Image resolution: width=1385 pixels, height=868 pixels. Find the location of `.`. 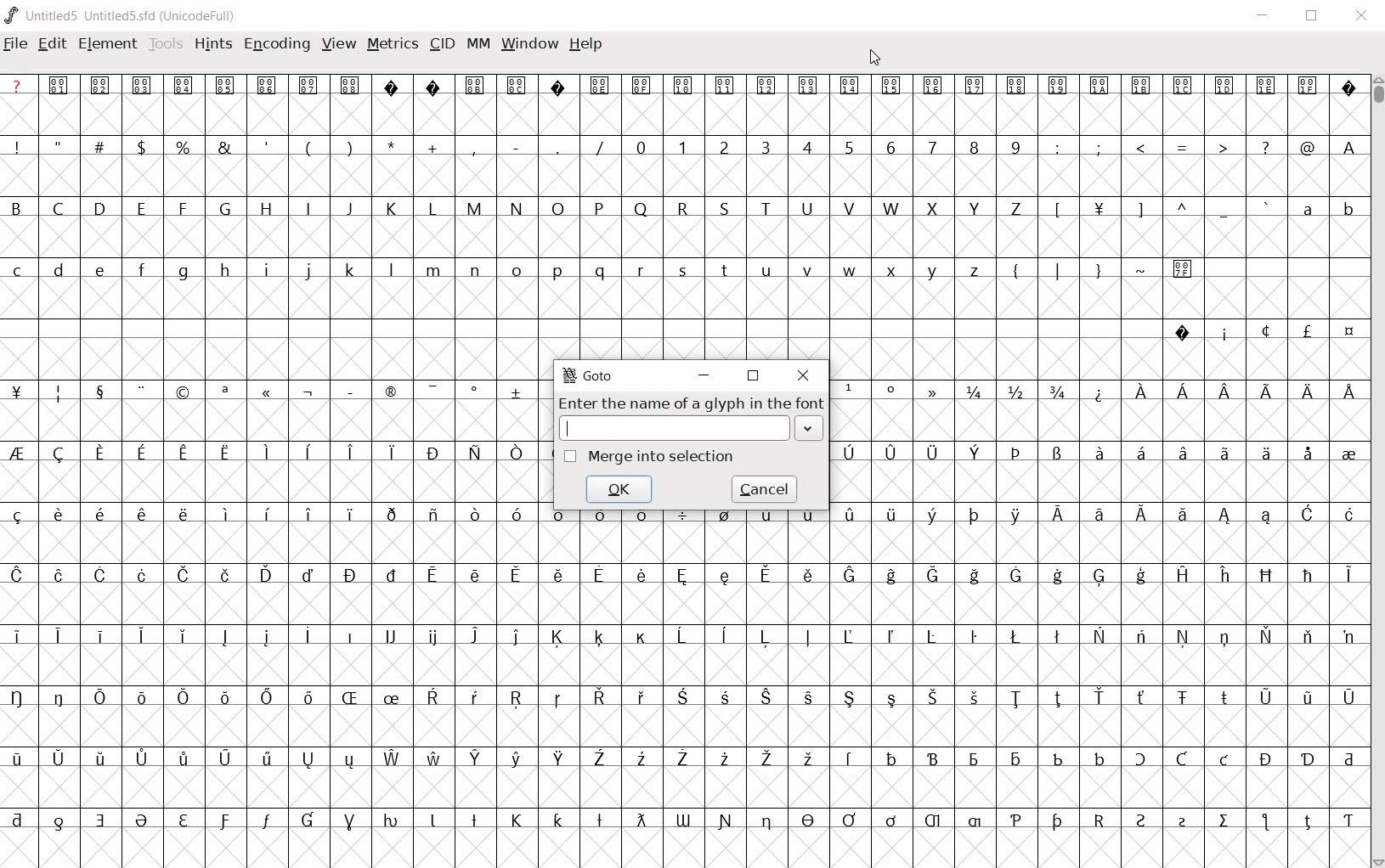

. is located at coordinates (557, 146).